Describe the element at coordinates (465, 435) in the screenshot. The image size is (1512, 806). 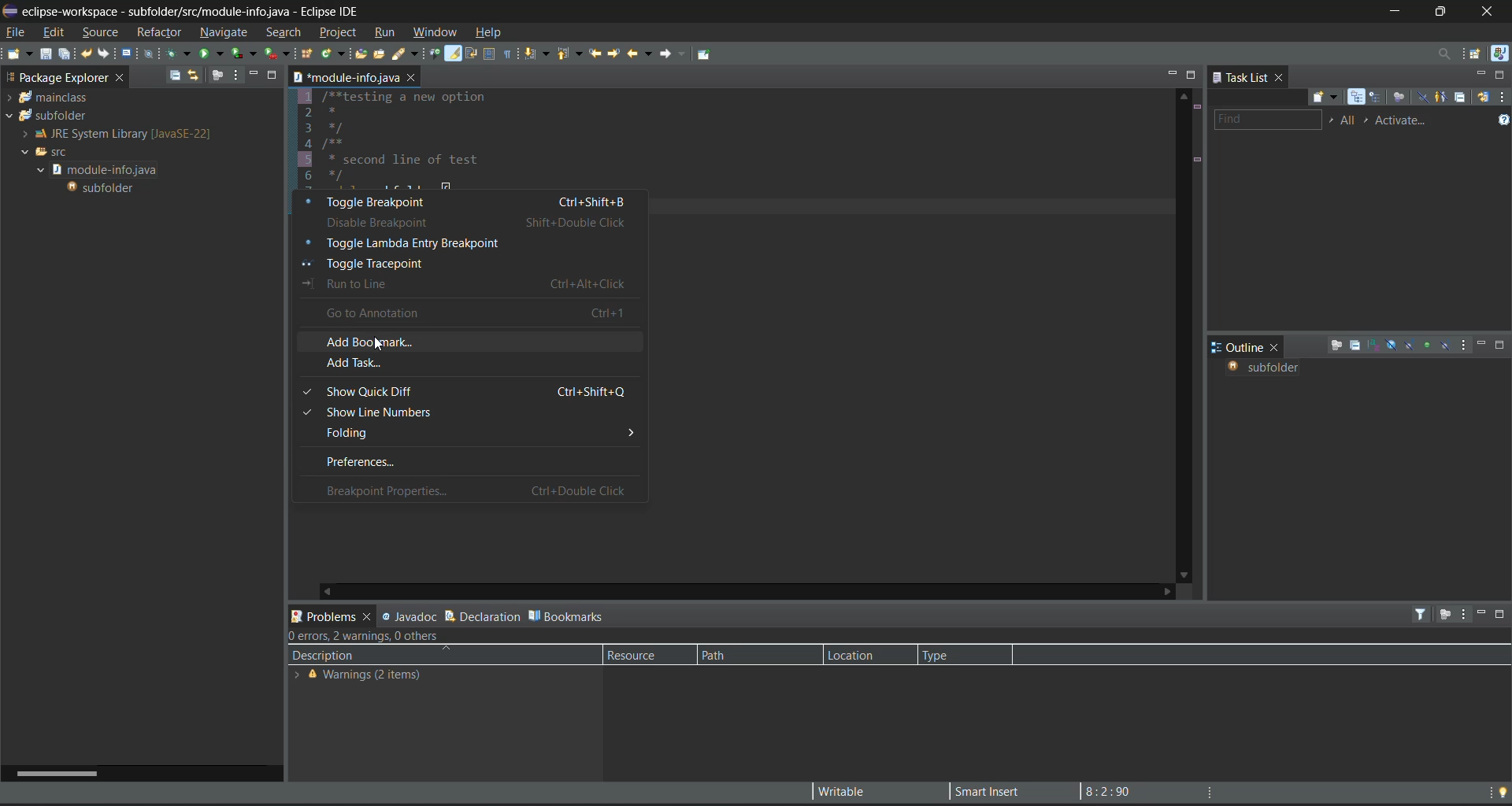
I see `folding` at that location.